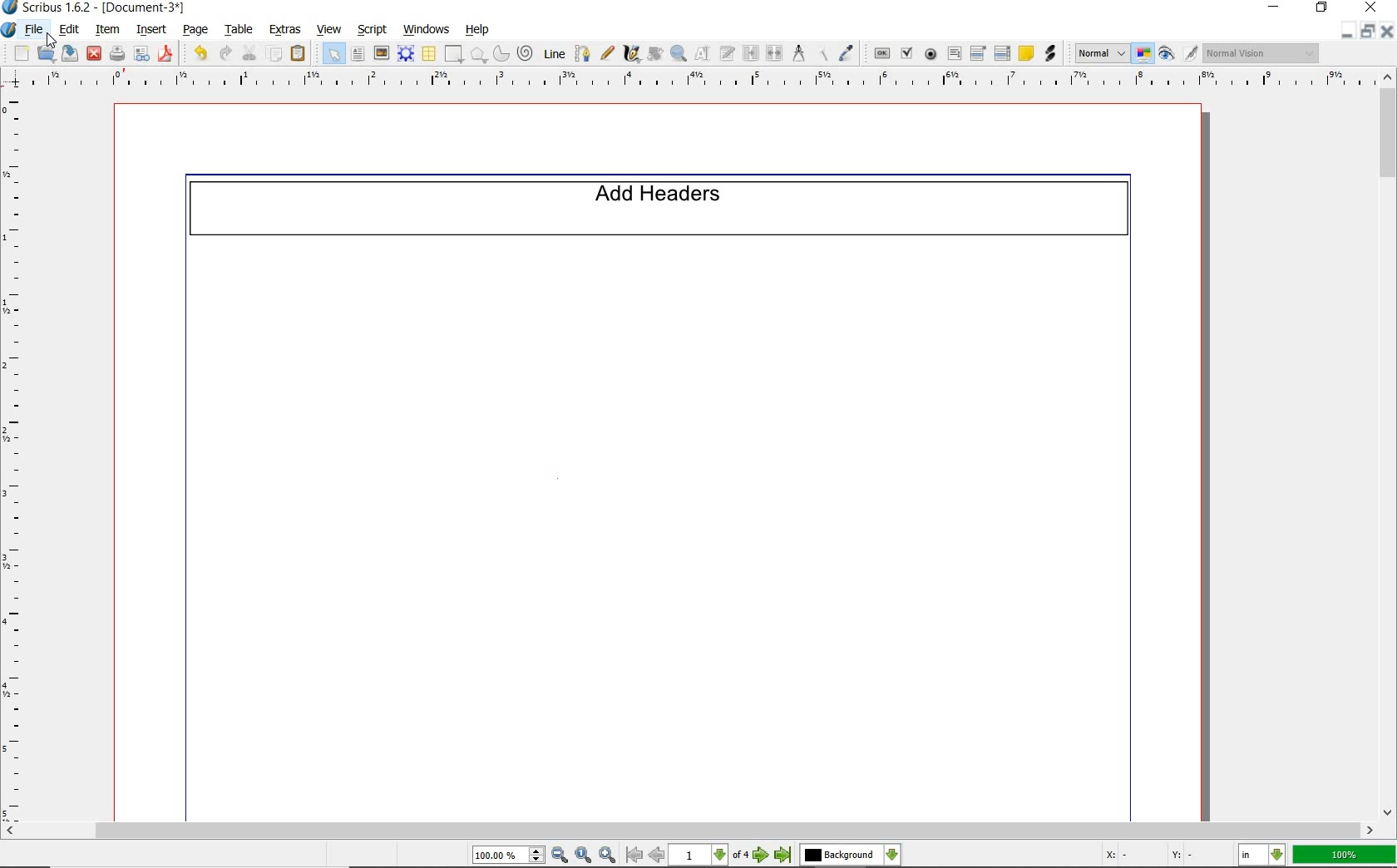 This screenshot has width=1397, height=868. What do you see at coordinates (1264, 856) in the screenshot?
I see `select the current unit` at bounding box center [1264, 856].